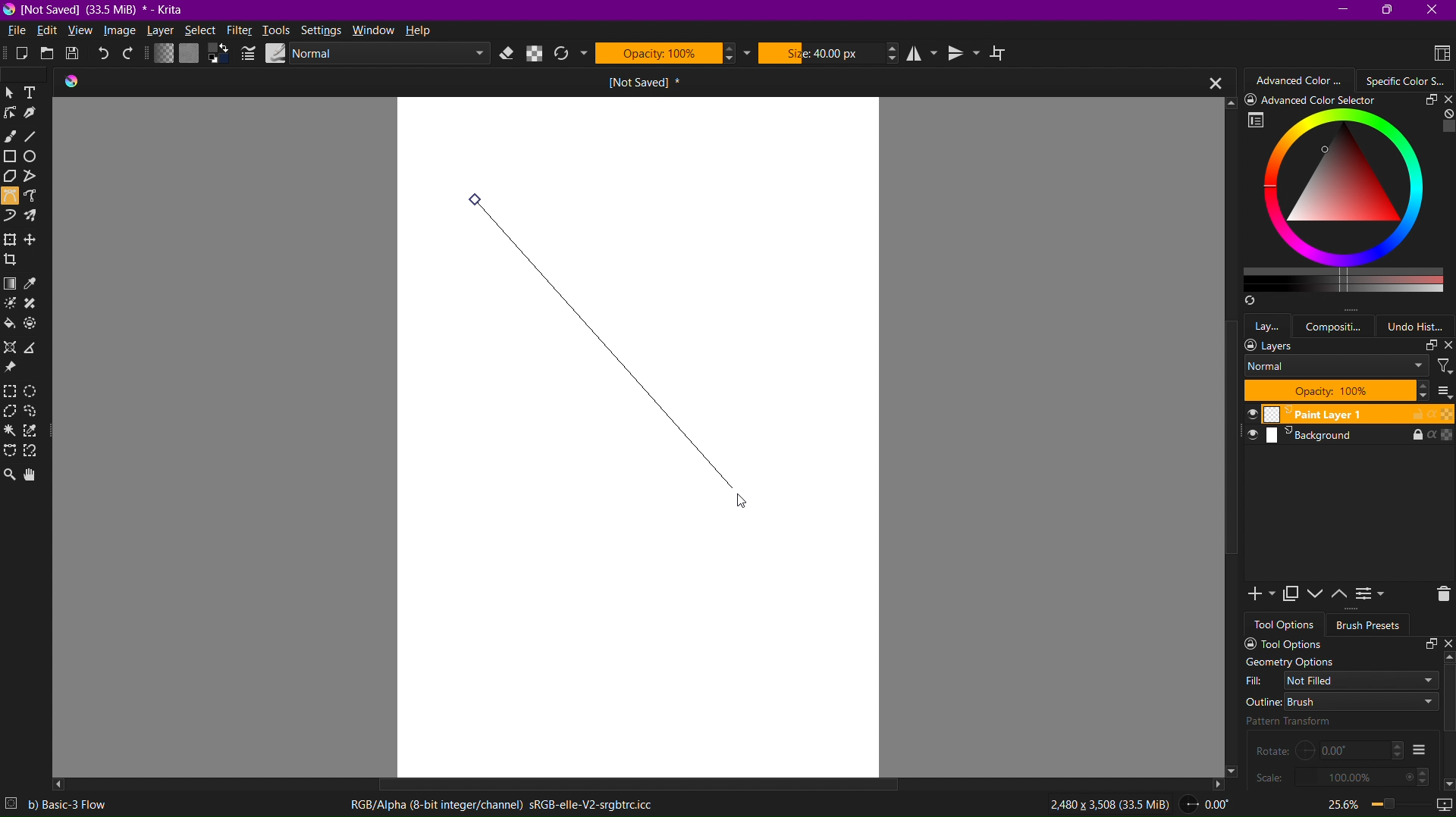 The image size is (1456, 817). What do you see at coordinates (1435, 10) in the screenshot?
I see `Close` at bounding box center [1435, 10].